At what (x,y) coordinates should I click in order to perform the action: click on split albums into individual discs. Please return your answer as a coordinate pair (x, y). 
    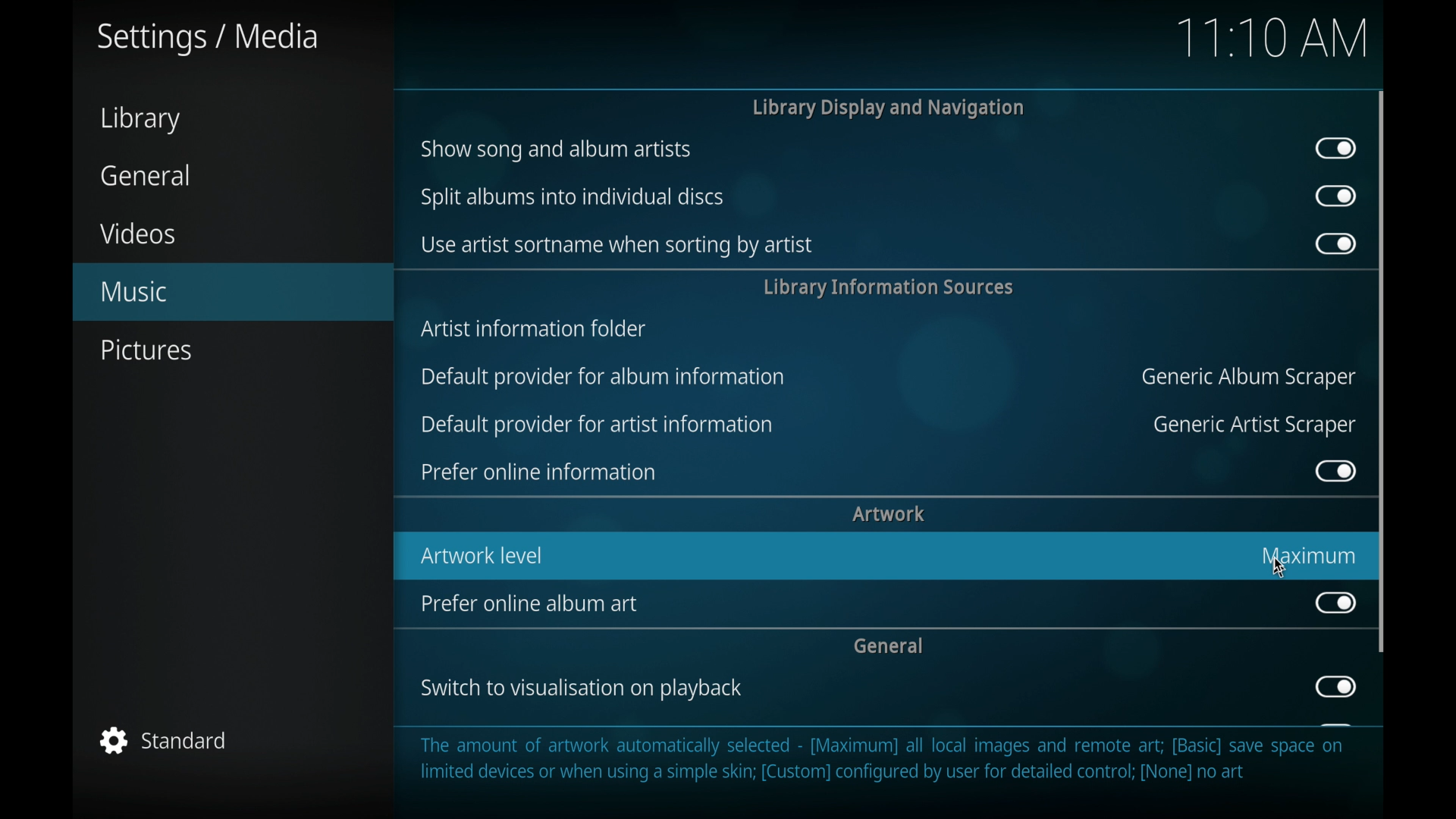
    Looking at the image, I should click on (573, 198).